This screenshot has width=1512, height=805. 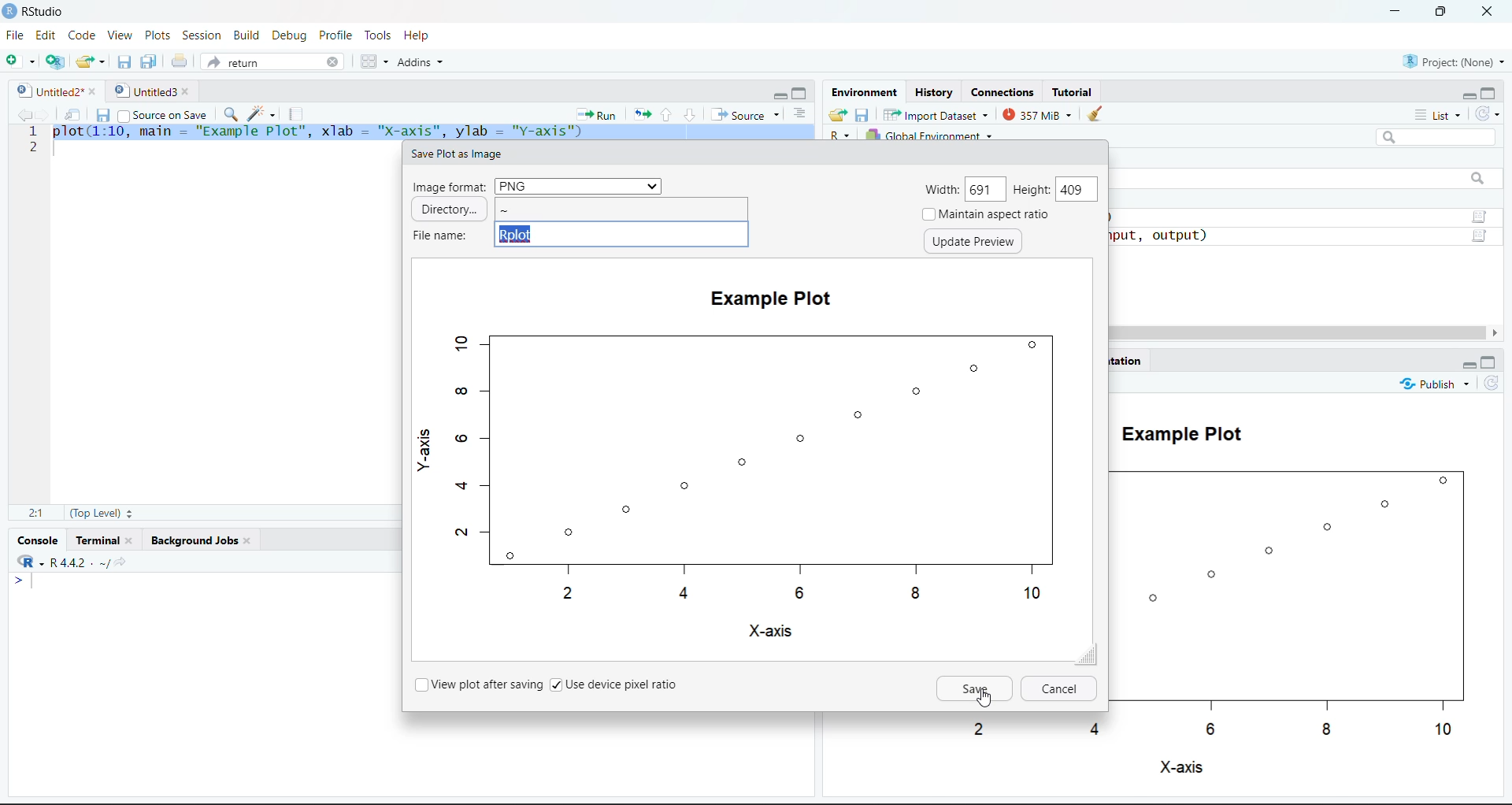 I want to click on 691, so click(x=987, y=187).